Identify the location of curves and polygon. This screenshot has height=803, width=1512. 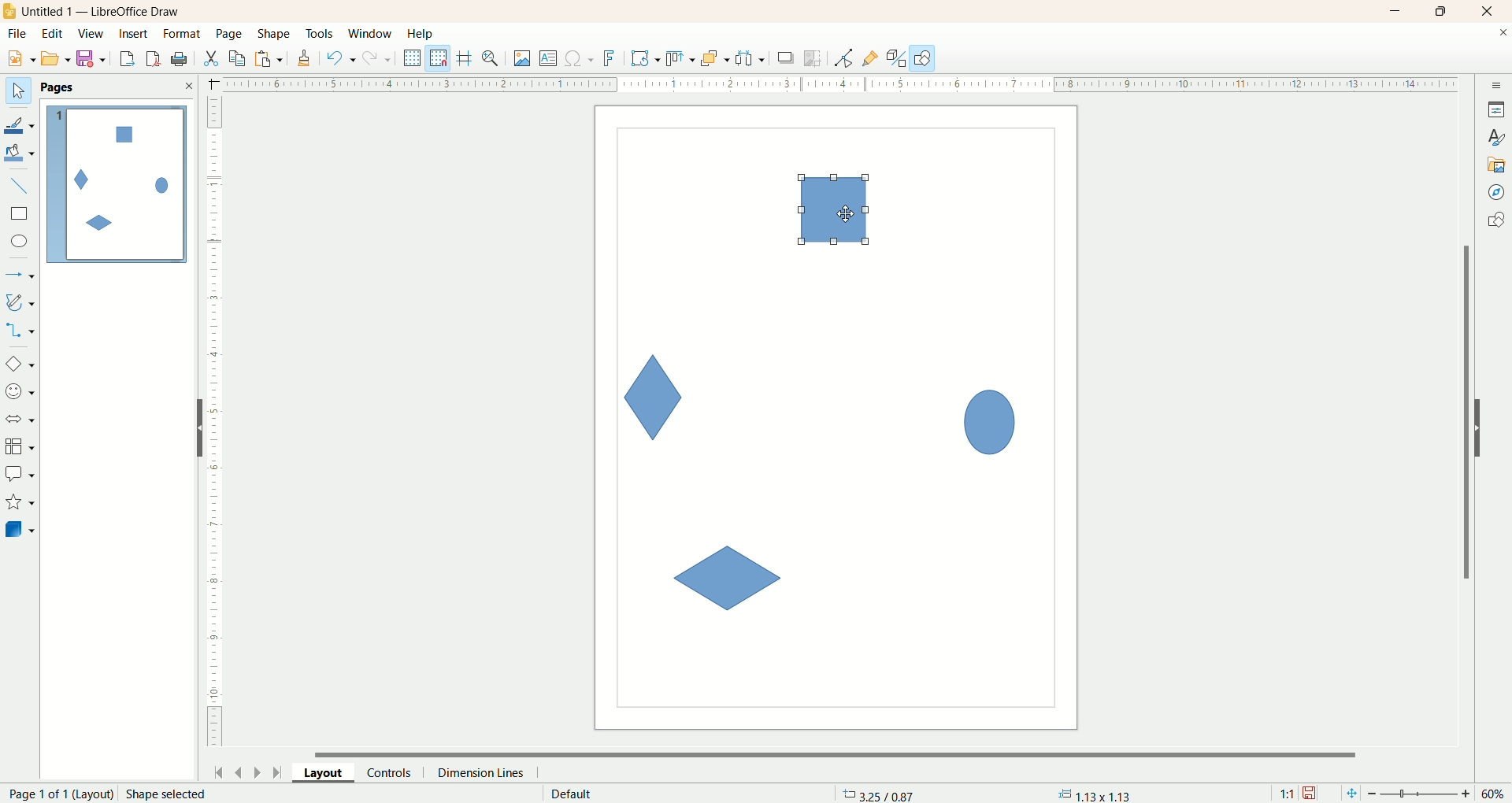
(21, 302).